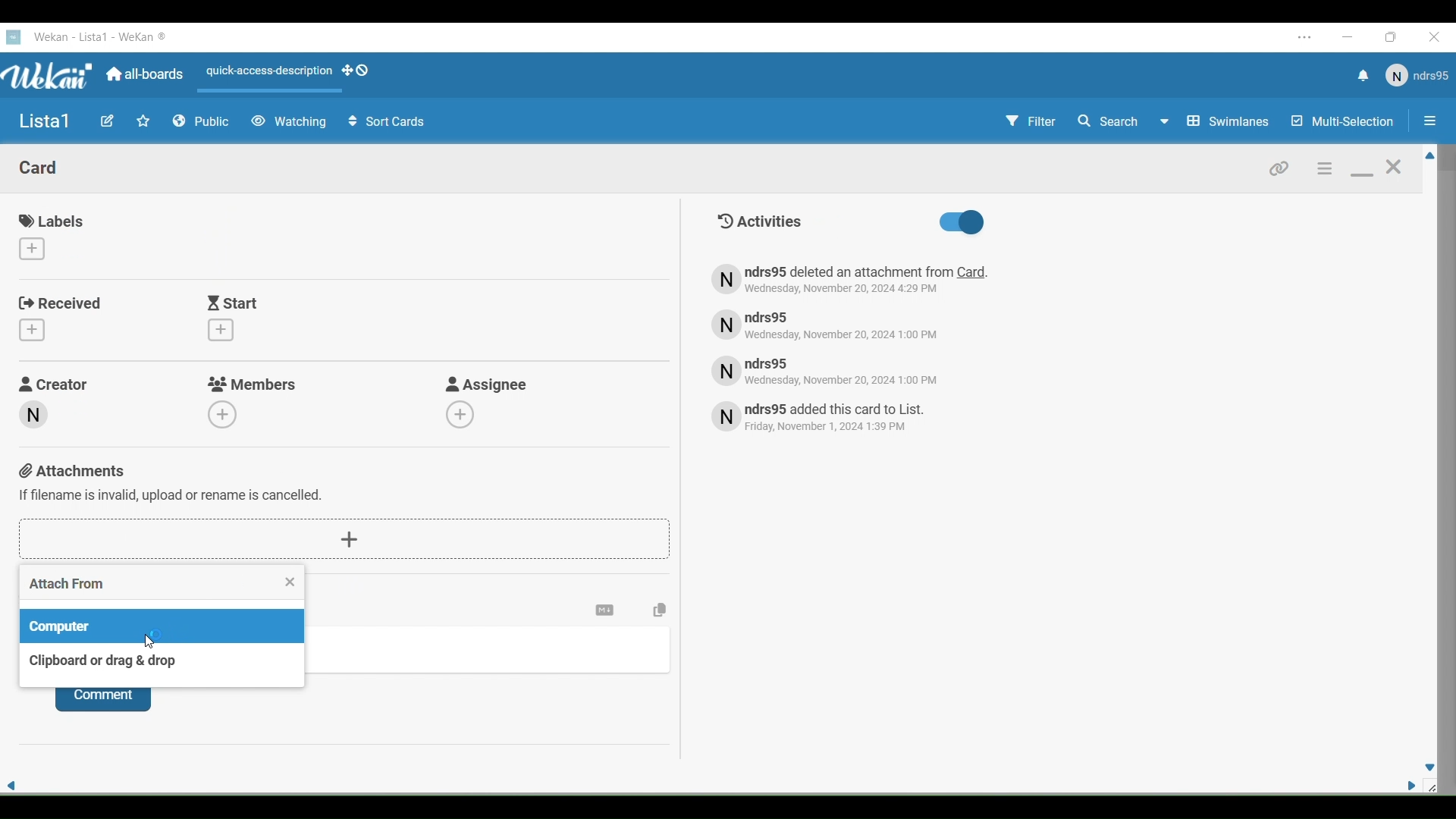 This screenshot has height=819, width=1456. Describe the element at coordinates (221, 330) in the screenshot. I see `Add start` at that location.